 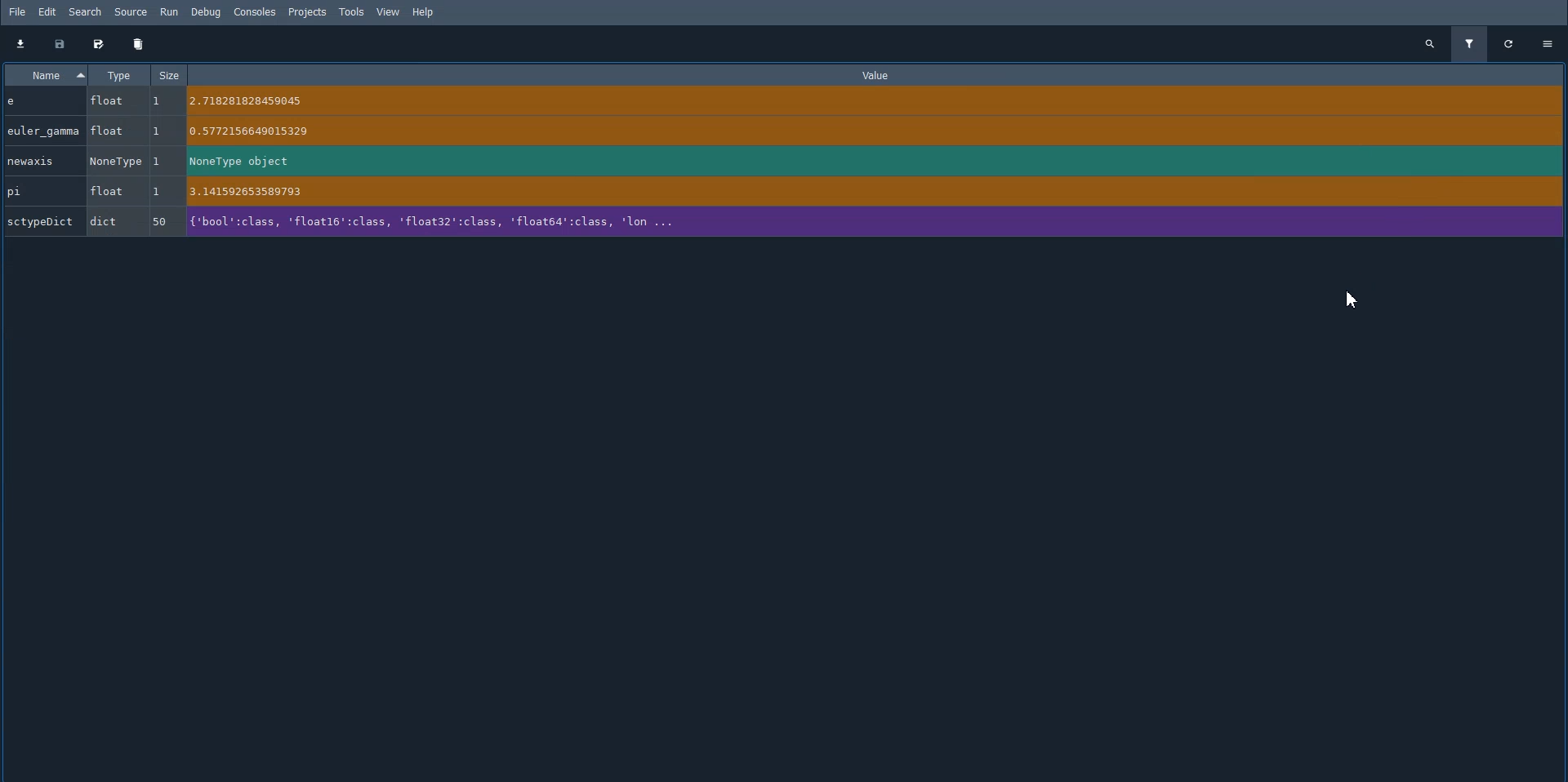 I want to click on float, so click(x=112, y=192).